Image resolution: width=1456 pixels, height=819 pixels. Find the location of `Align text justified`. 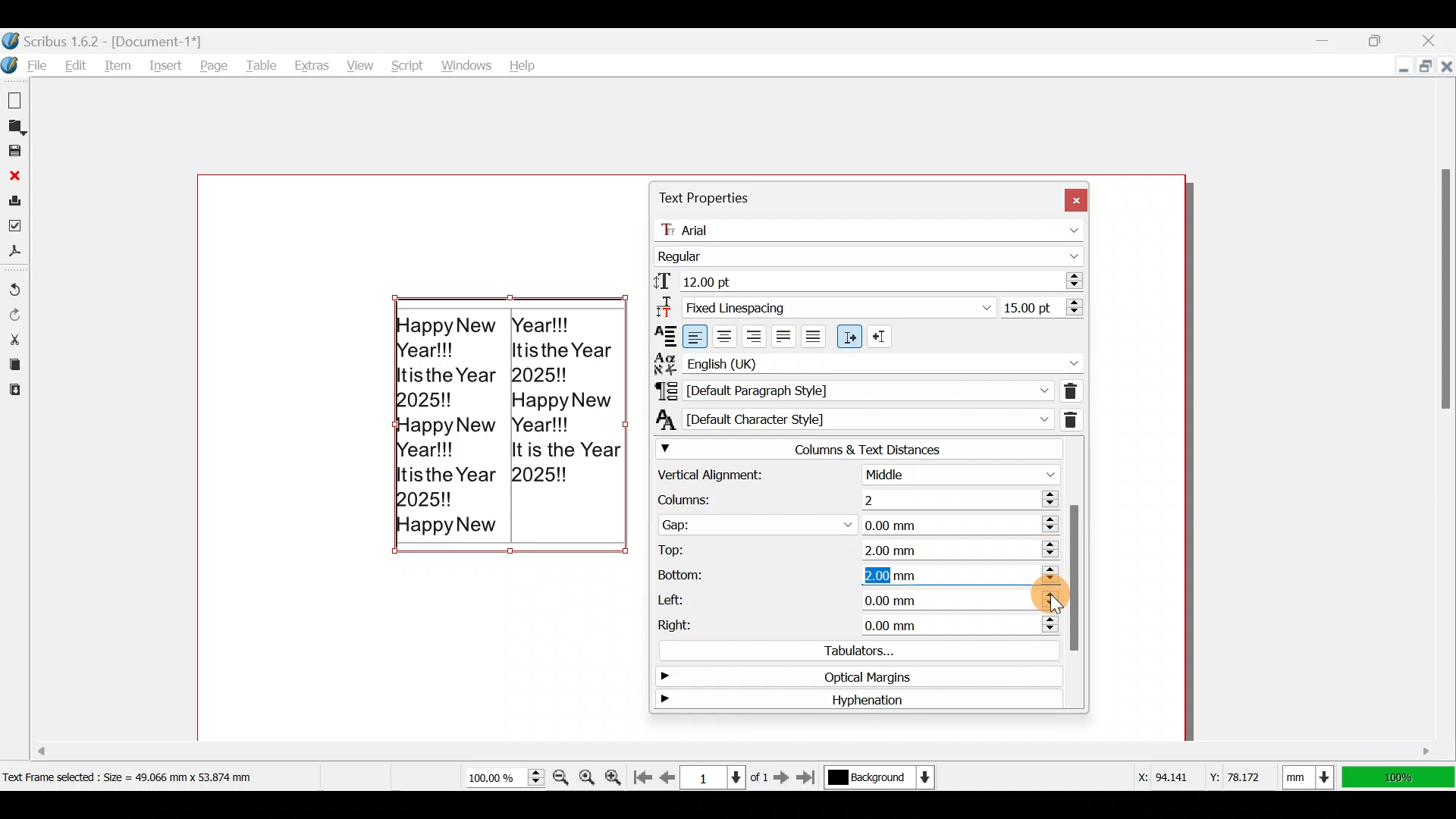

Align text justified is located at coordinates (786, 334).